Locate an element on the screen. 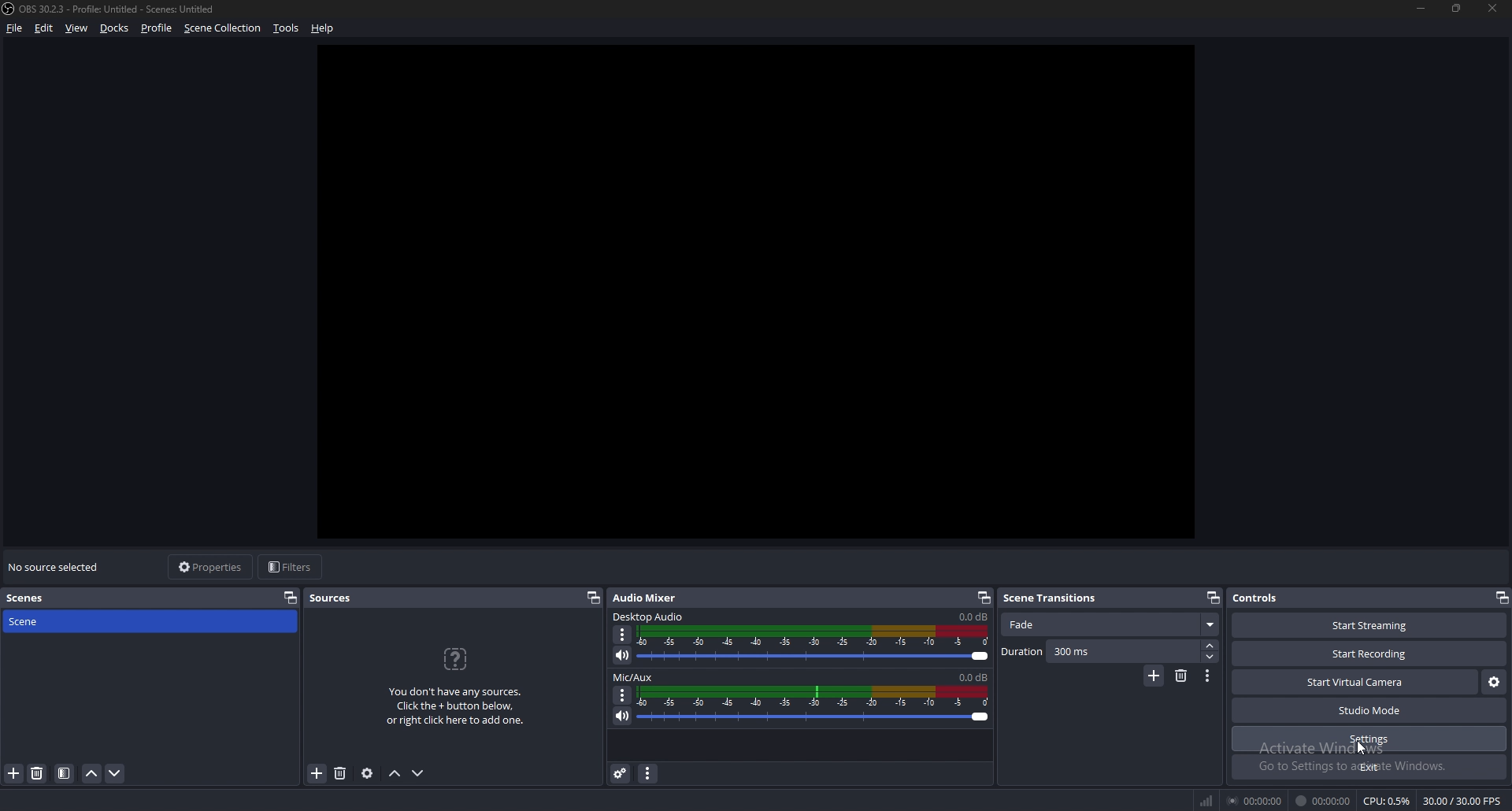 The image size is (1512, 811). close is located at coordinates (1493, 8).